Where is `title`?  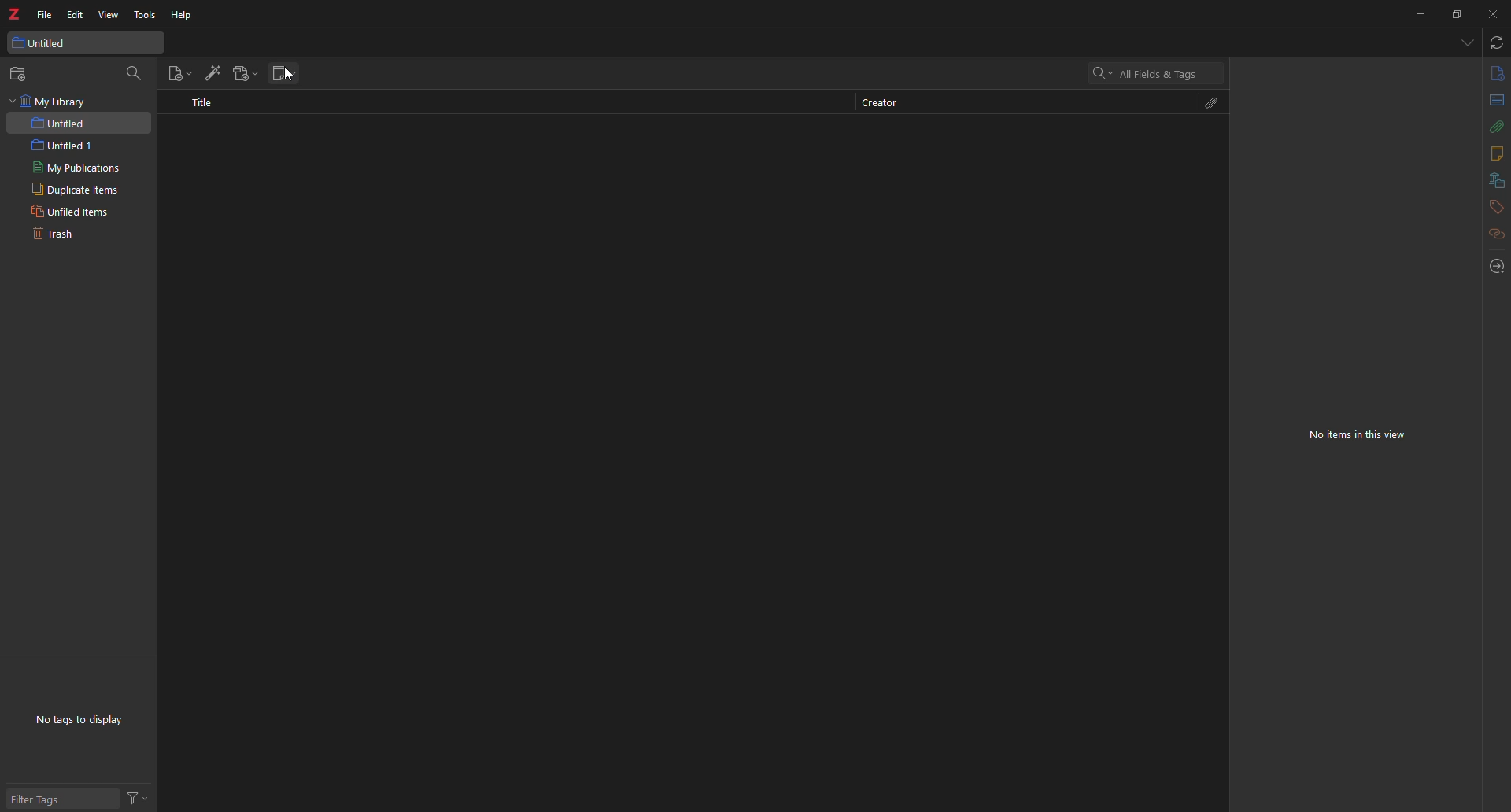
title is located at coordinates (209, 108).